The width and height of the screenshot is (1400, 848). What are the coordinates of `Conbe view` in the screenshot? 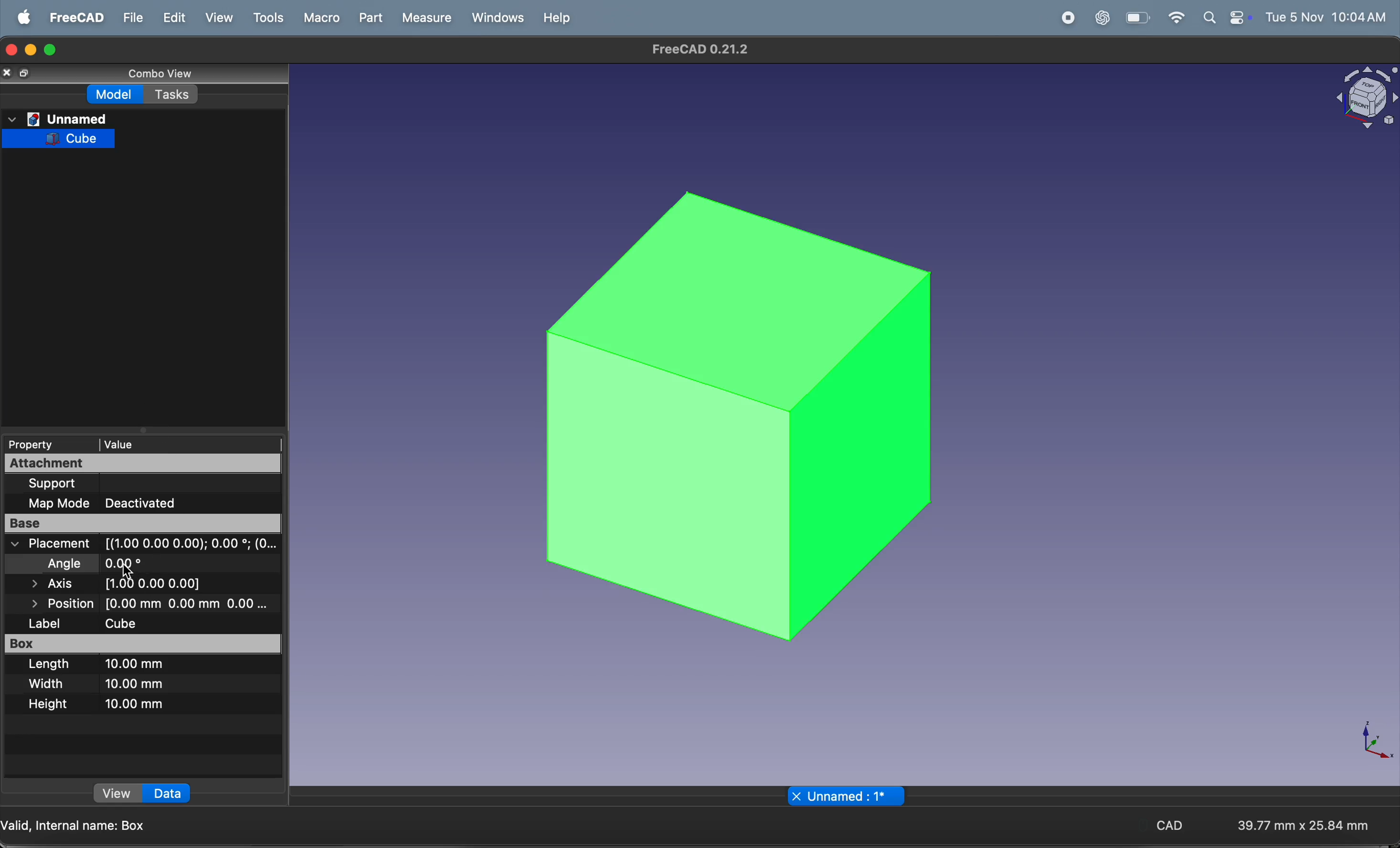 It's located at (145, 74).